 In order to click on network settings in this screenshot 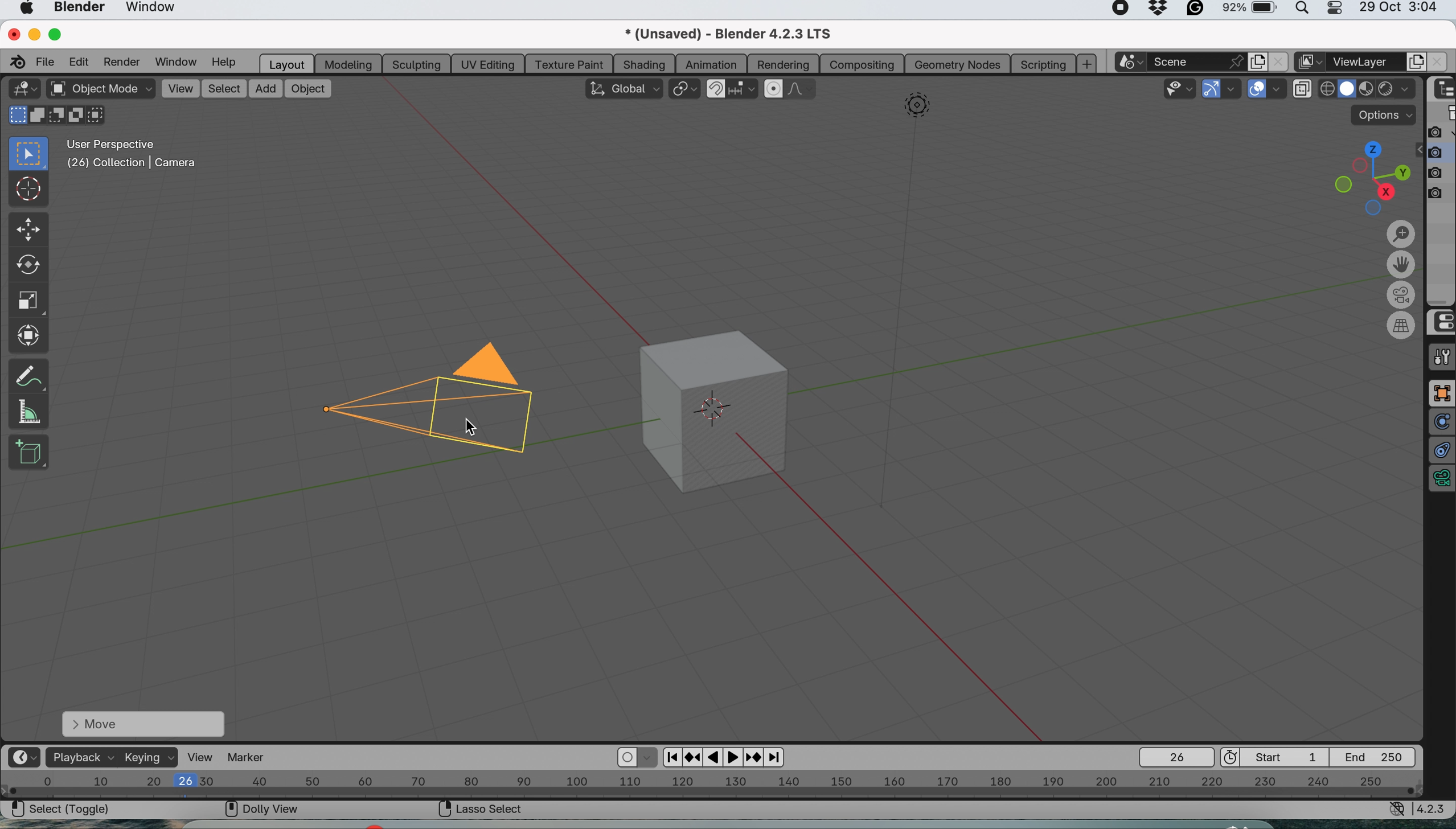, I will do `click(1397, 811)`.